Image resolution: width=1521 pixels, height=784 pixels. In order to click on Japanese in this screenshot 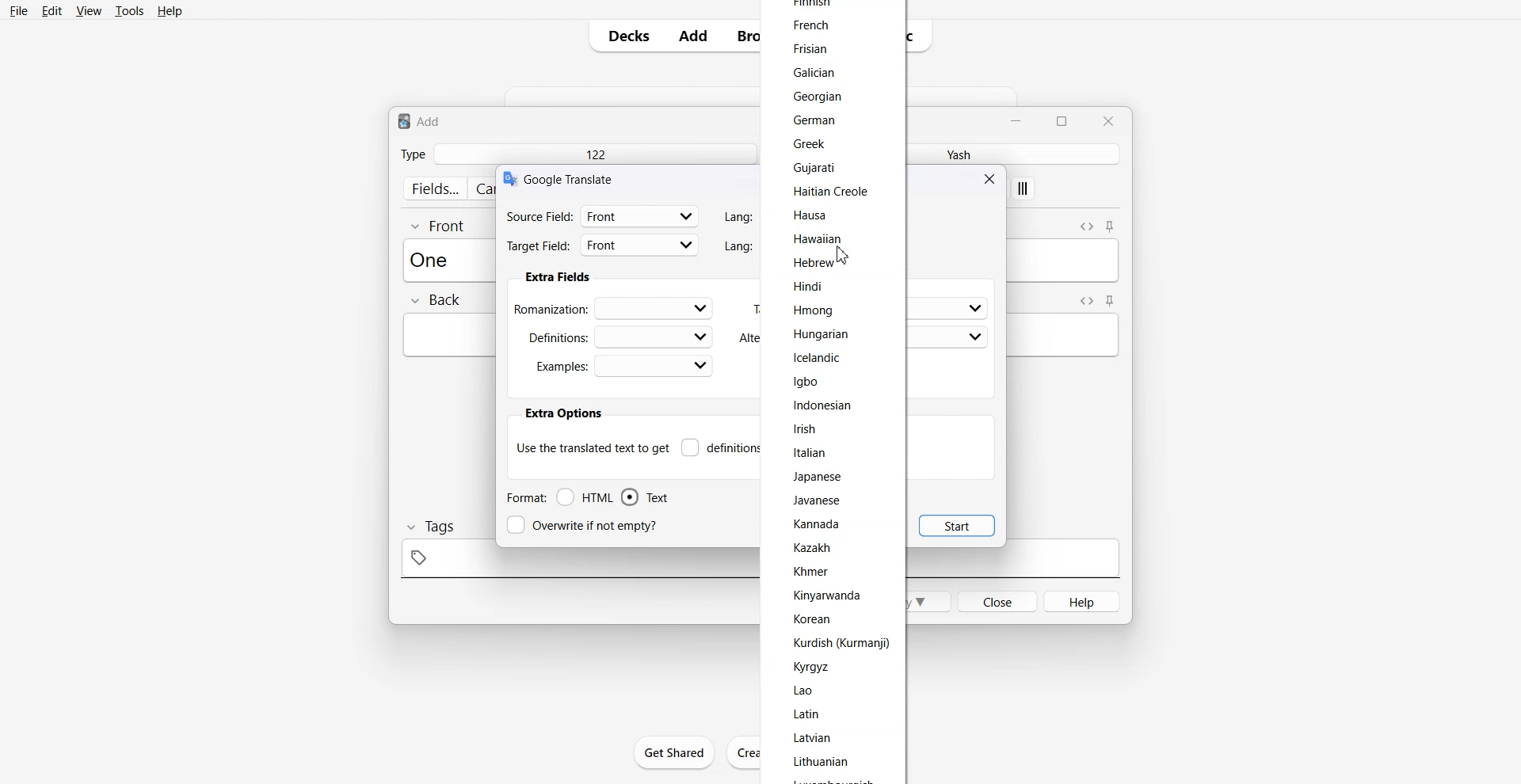, I will do `click(818, 477)`.